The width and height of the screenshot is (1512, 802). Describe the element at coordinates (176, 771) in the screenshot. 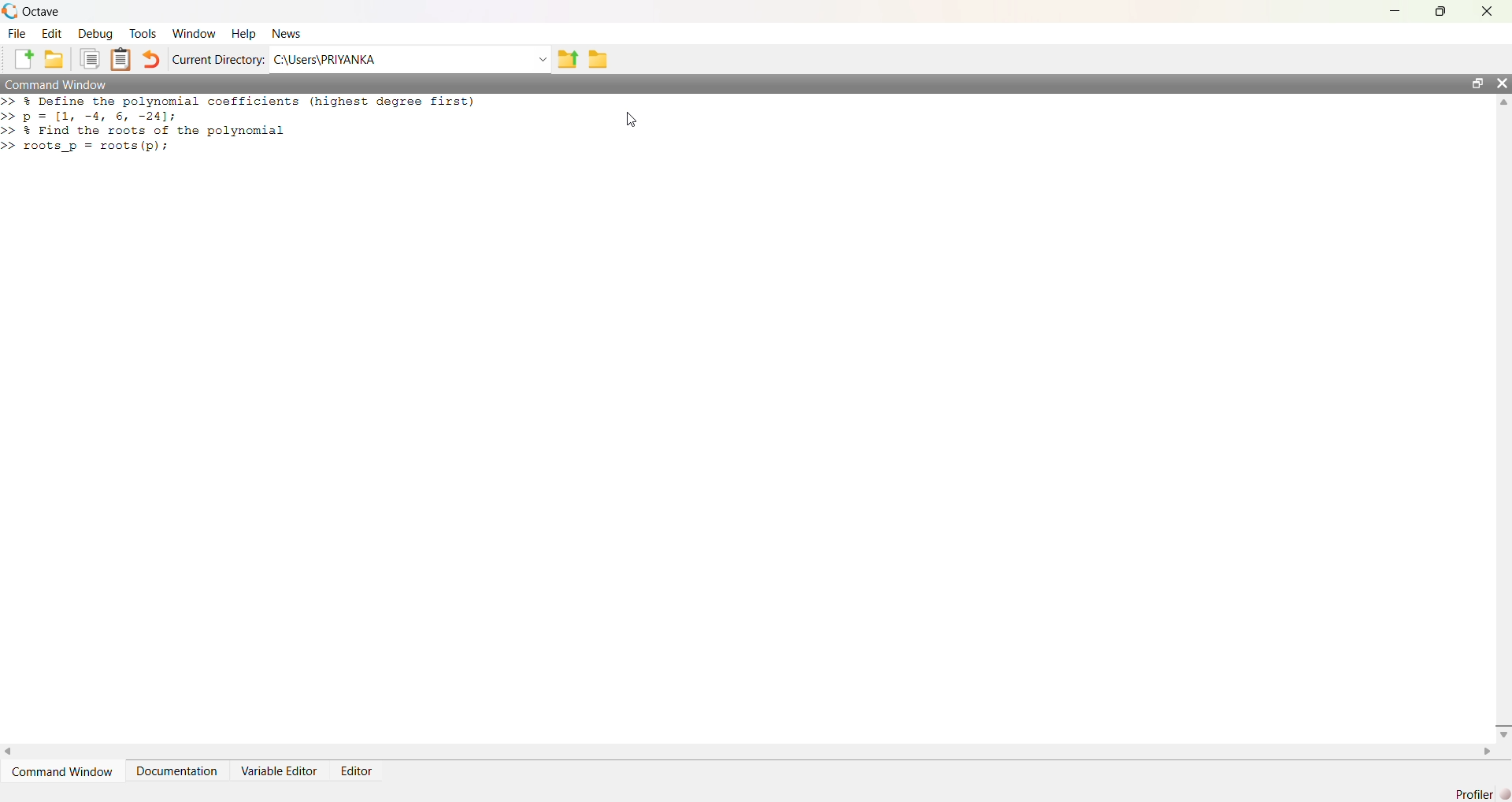

I see `Documentation` at that location.